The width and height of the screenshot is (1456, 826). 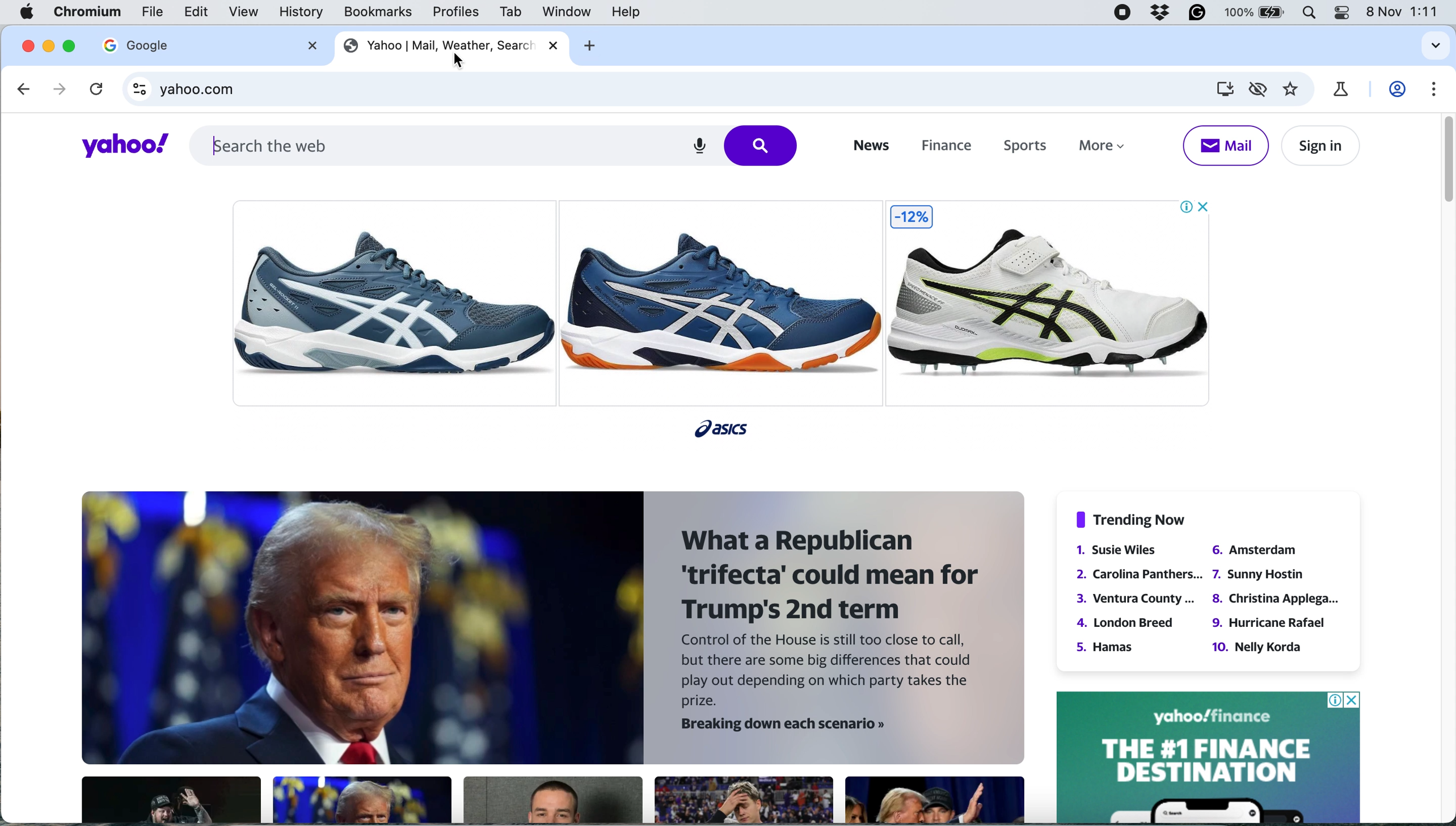 What do you see at coordinates (246, 12) in the screenshot?
I see `view` at bounding box center [246, 12].